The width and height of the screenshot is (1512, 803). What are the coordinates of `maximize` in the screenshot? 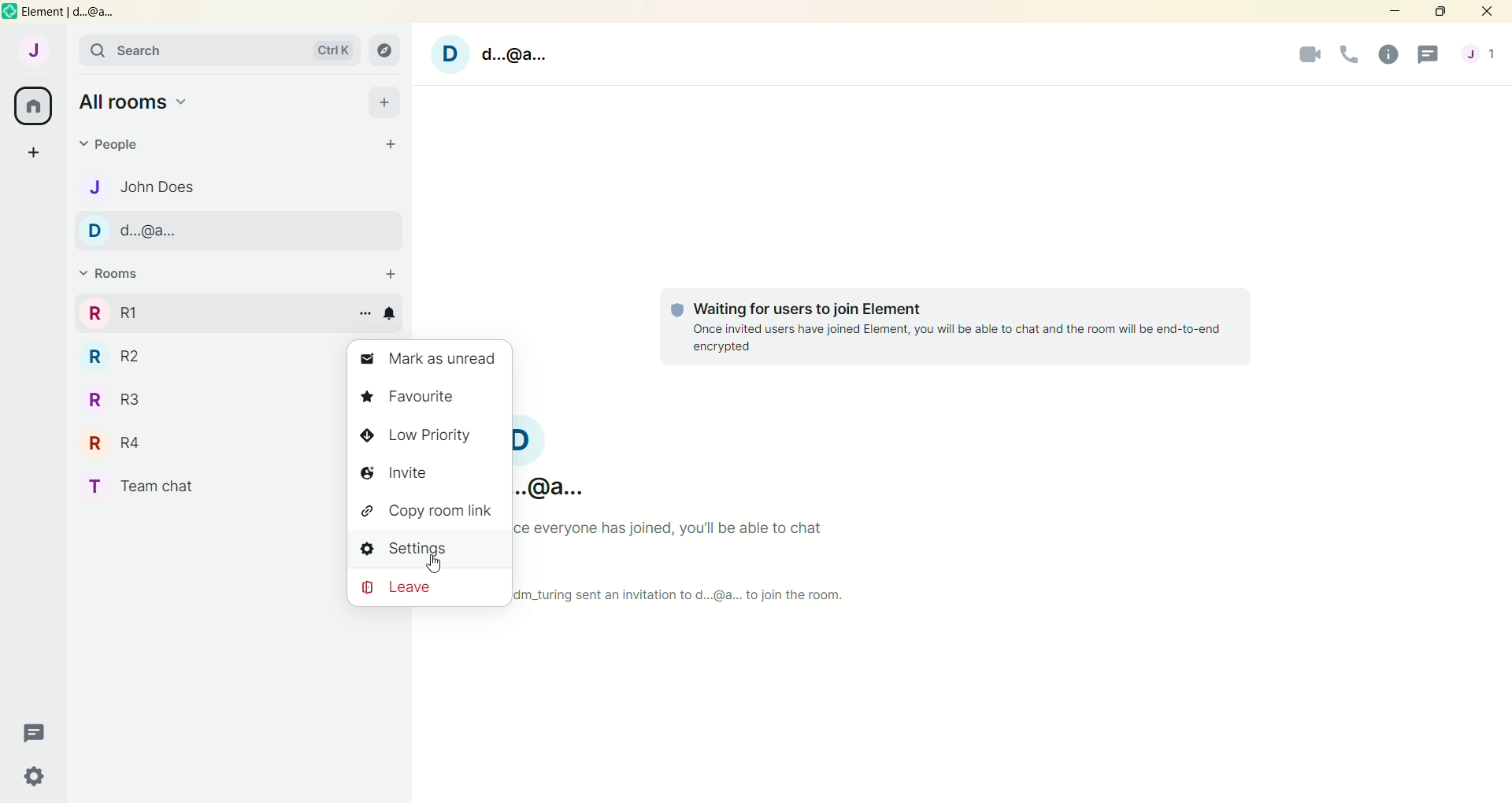 It's located at (1439, 13).